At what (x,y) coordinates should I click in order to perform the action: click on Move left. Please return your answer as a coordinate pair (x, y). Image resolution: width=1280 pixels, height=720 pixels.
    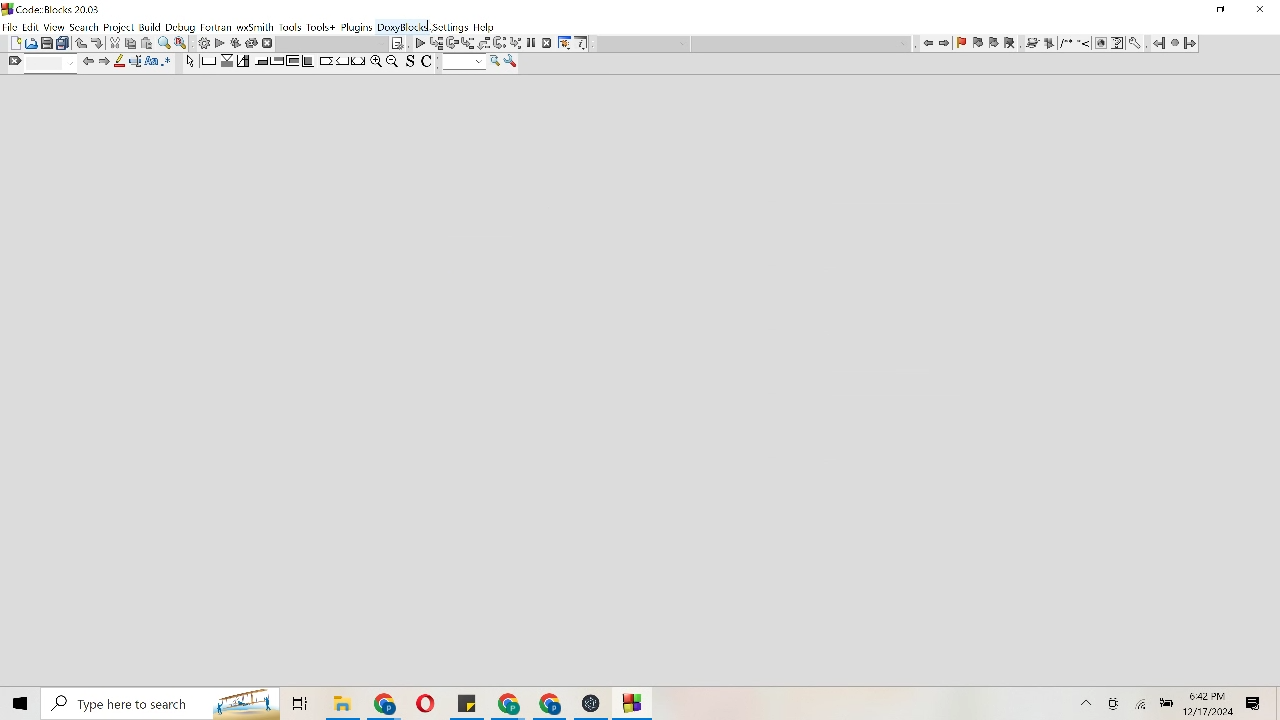
    Looking at the image, I should click on (928, 42).